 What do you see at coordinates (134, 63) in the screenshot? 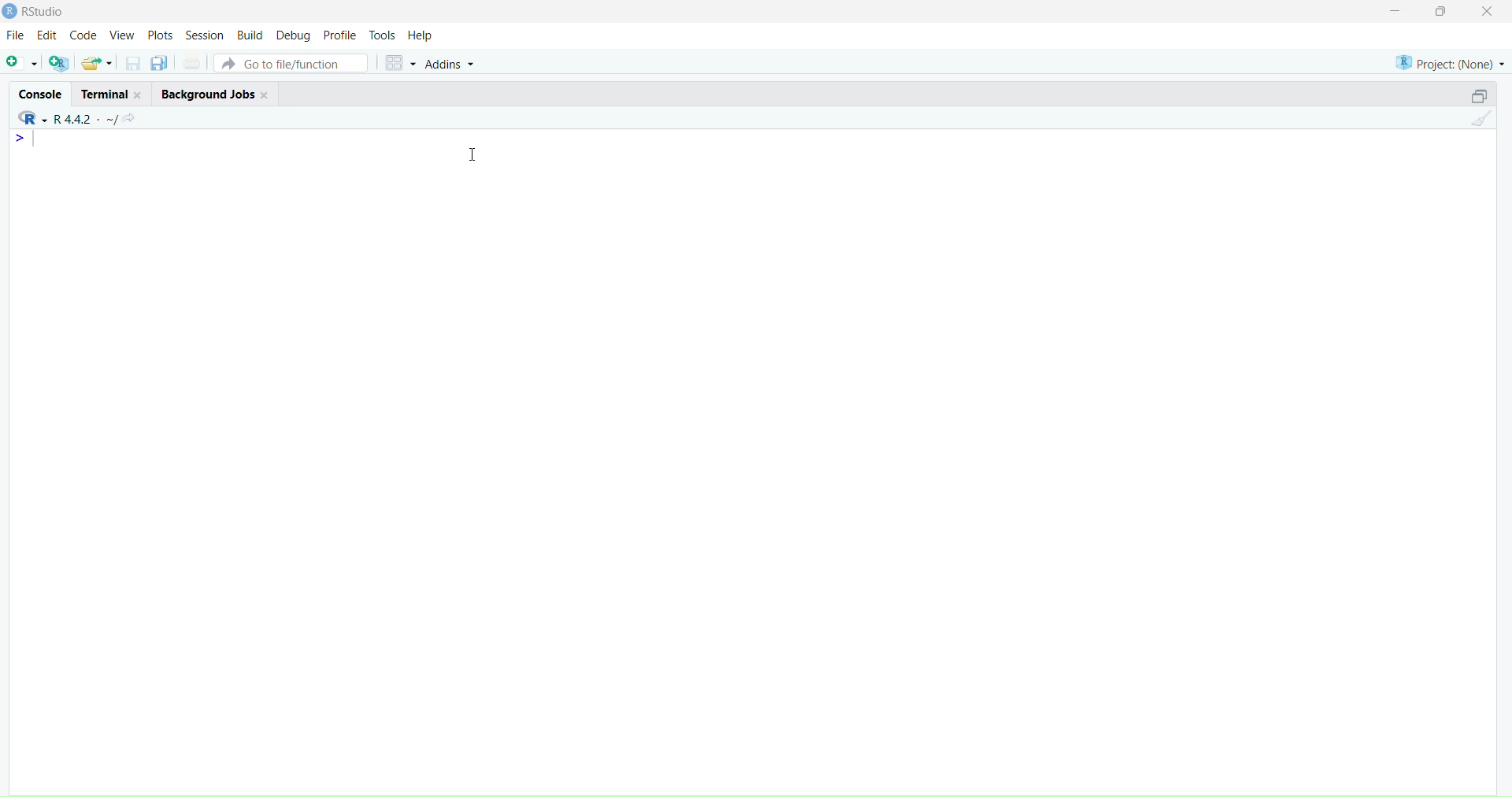
I see `Save ` at bounding box center [134, 63].